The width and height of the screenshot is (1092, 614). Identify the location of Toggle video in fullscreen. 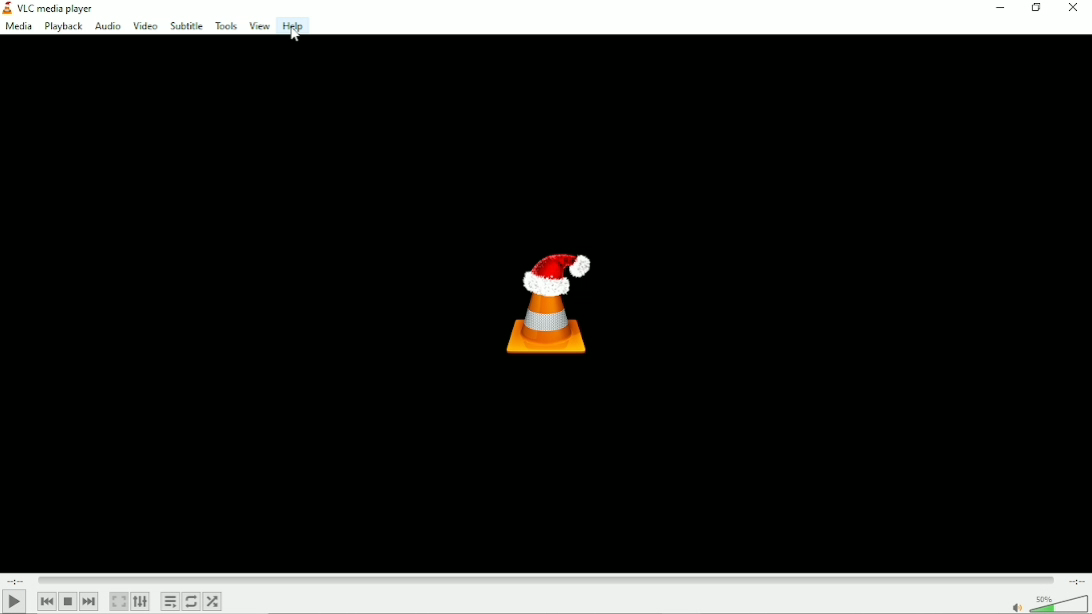
(119, 602).